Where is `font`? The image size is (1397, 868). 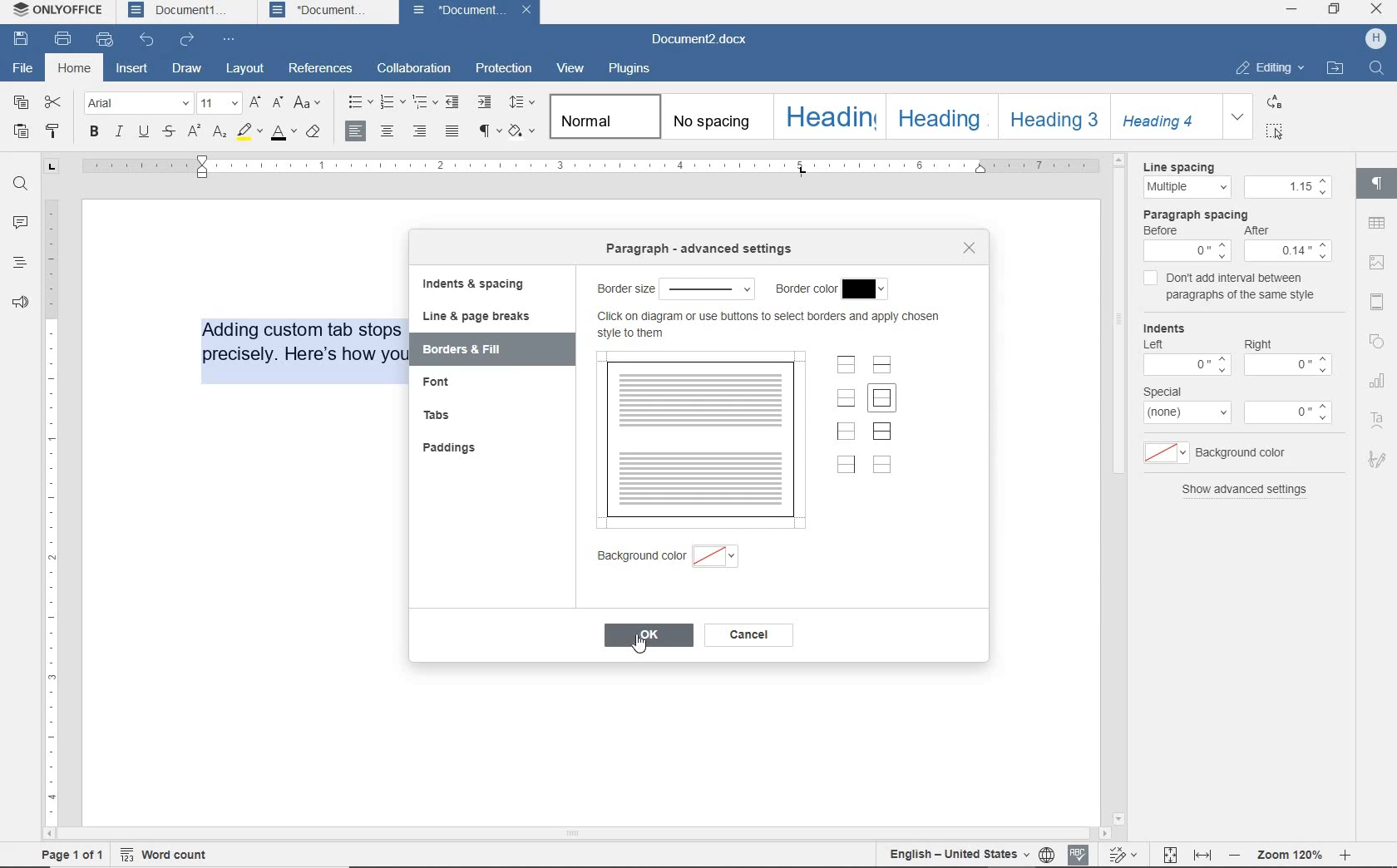
font is located at coordinates (443, 382).